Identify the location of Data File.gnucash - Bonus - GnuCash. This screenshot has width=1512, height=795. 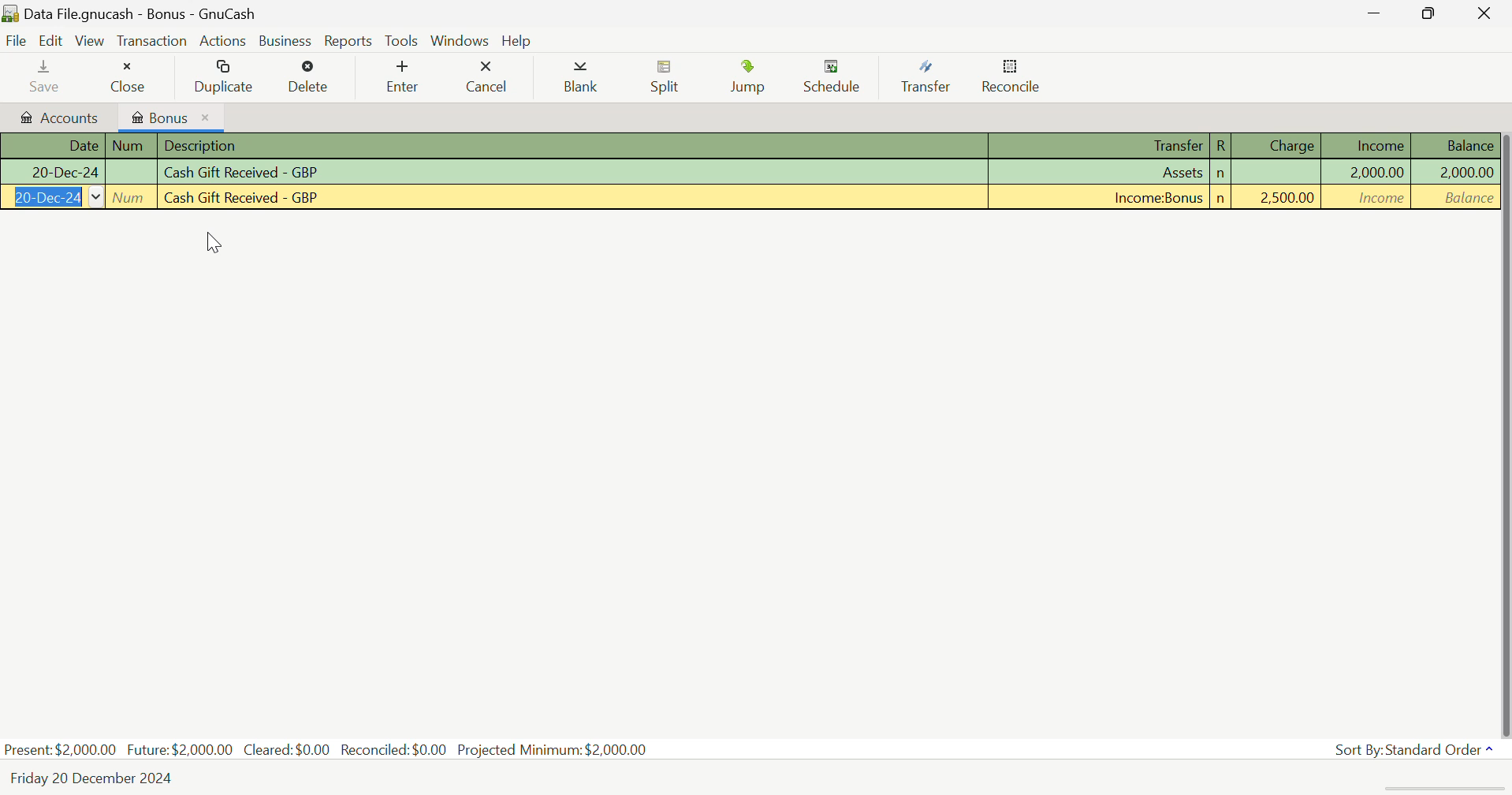
(191, 13).